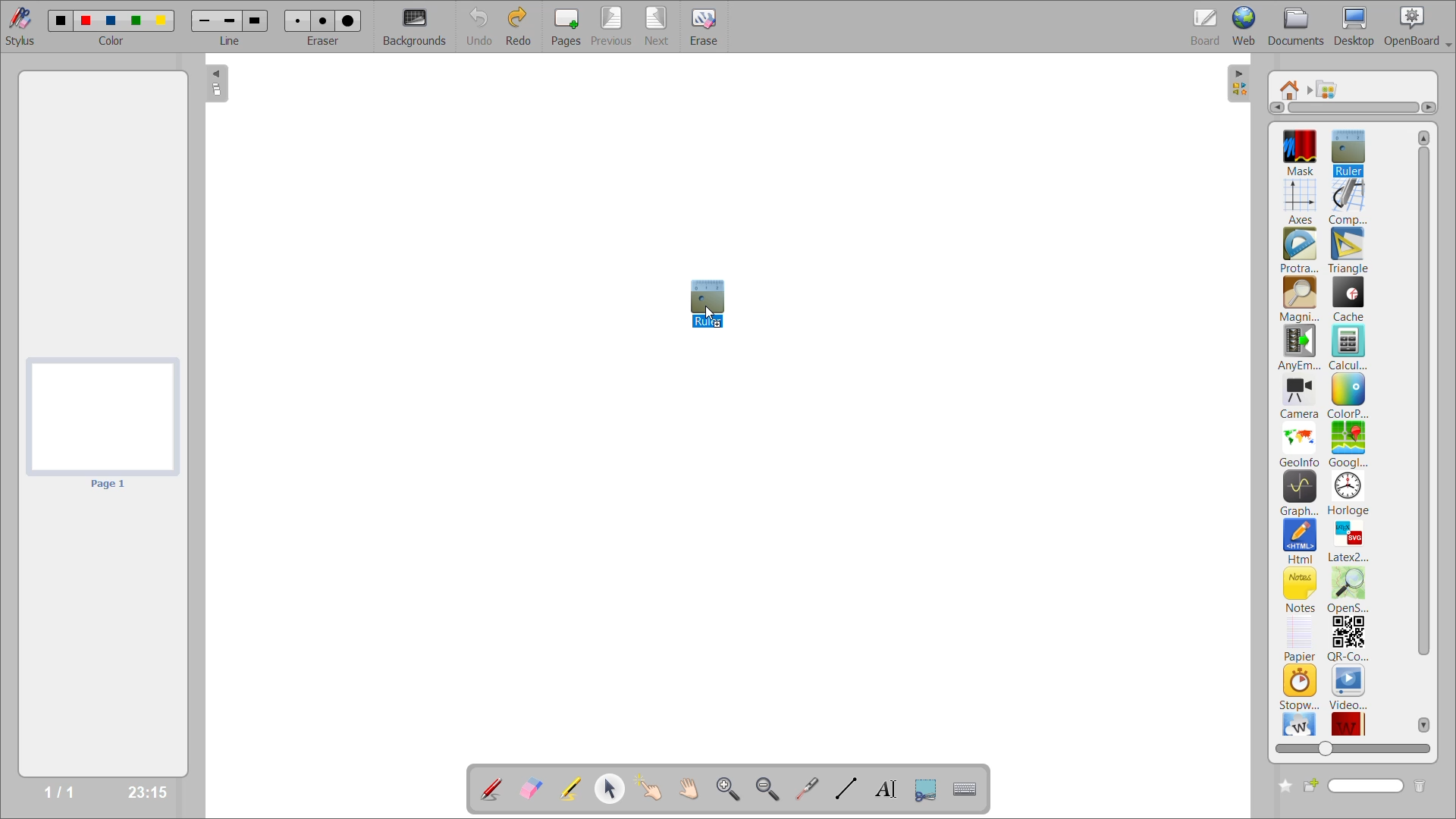 The width and height of the screenshot is (1456, 819). I want to click on virtual laser pointer, so click(805, 788).